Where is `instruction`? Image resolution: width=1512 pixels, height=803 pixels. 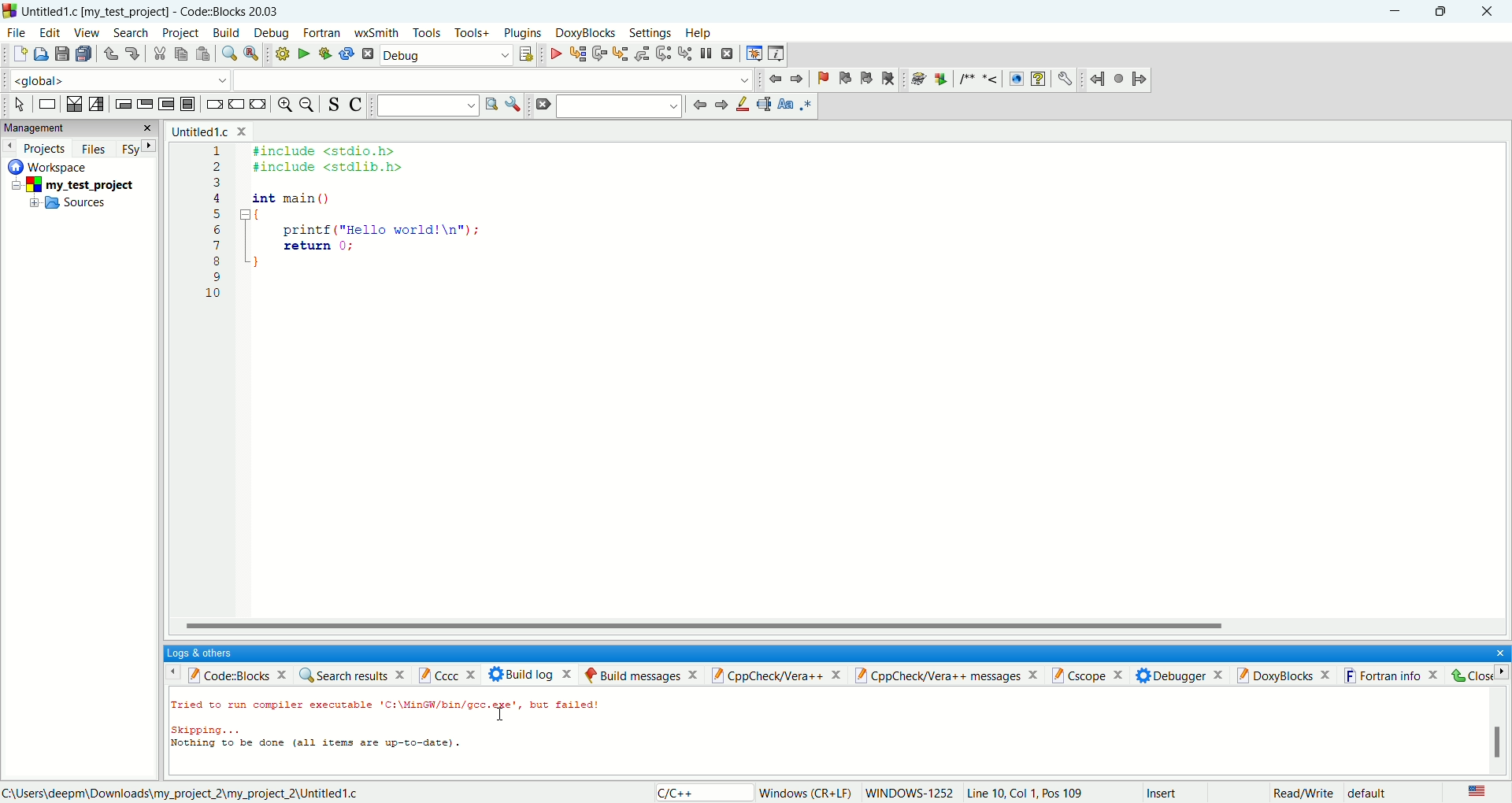 instruction is located at coordinates (46, 104).